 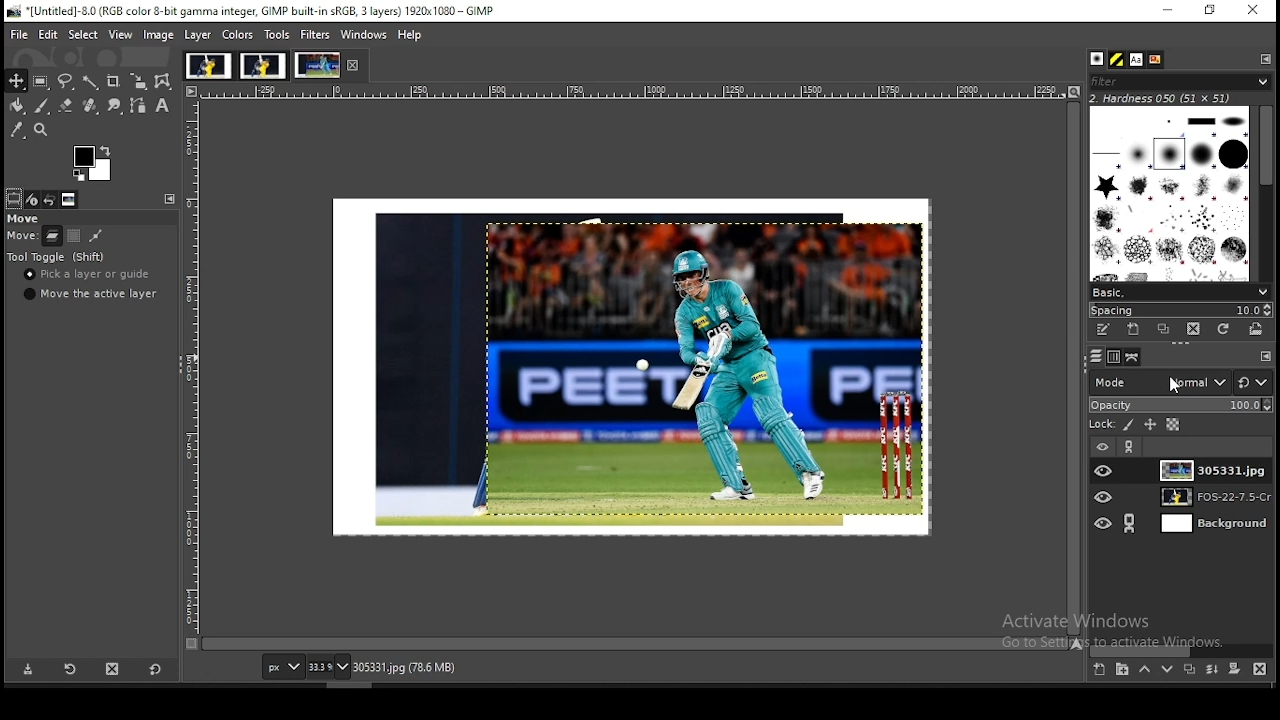 I want to click on painbucket tool, so click(x=19, y=105).